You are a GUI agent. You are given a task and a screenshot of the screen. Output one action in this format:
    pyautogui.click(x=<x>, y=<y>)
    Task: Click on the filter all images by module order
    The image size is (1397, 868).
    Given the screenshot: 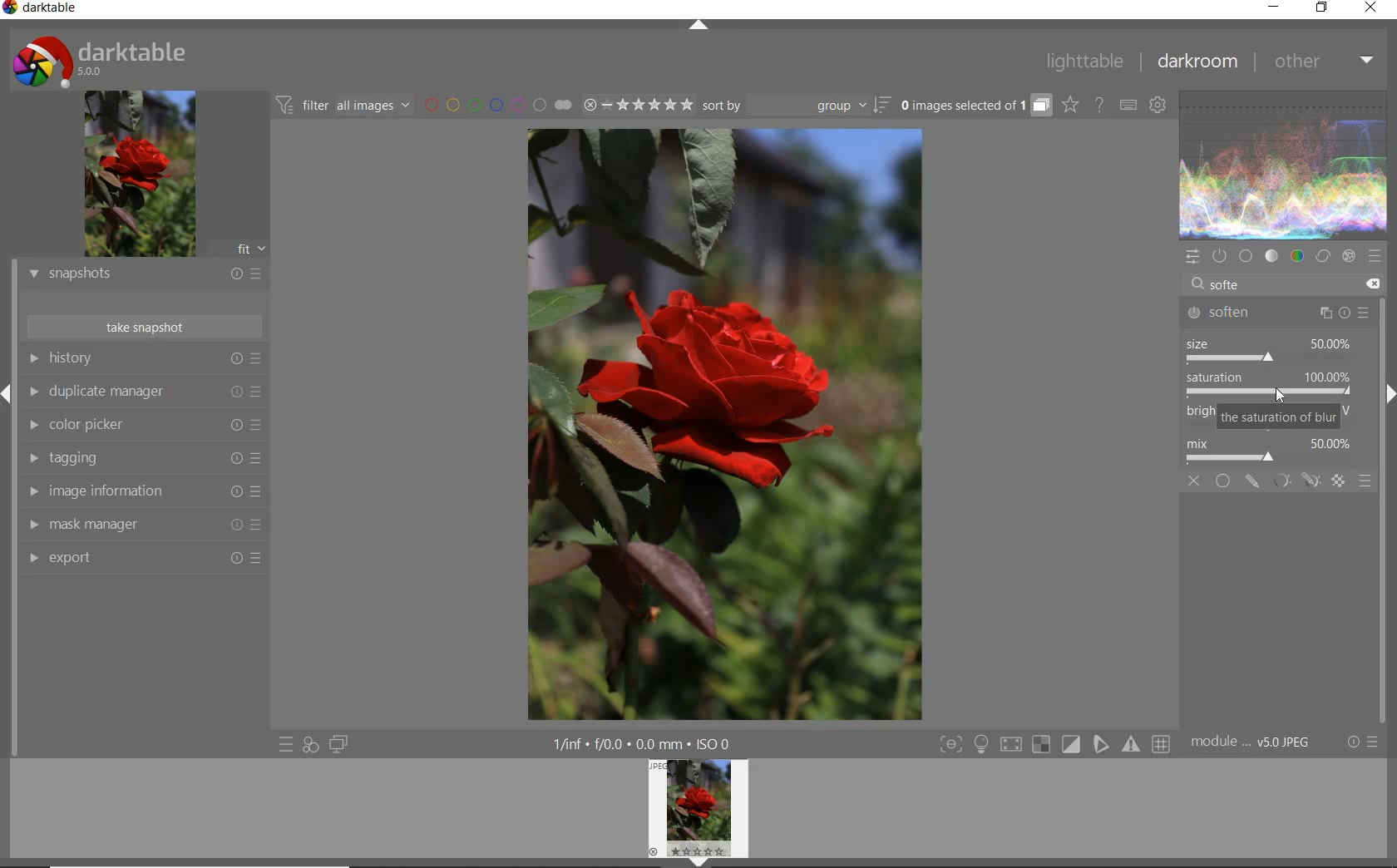 What is the action you would take?
    pyautogui.click(x=342, y=105)
    